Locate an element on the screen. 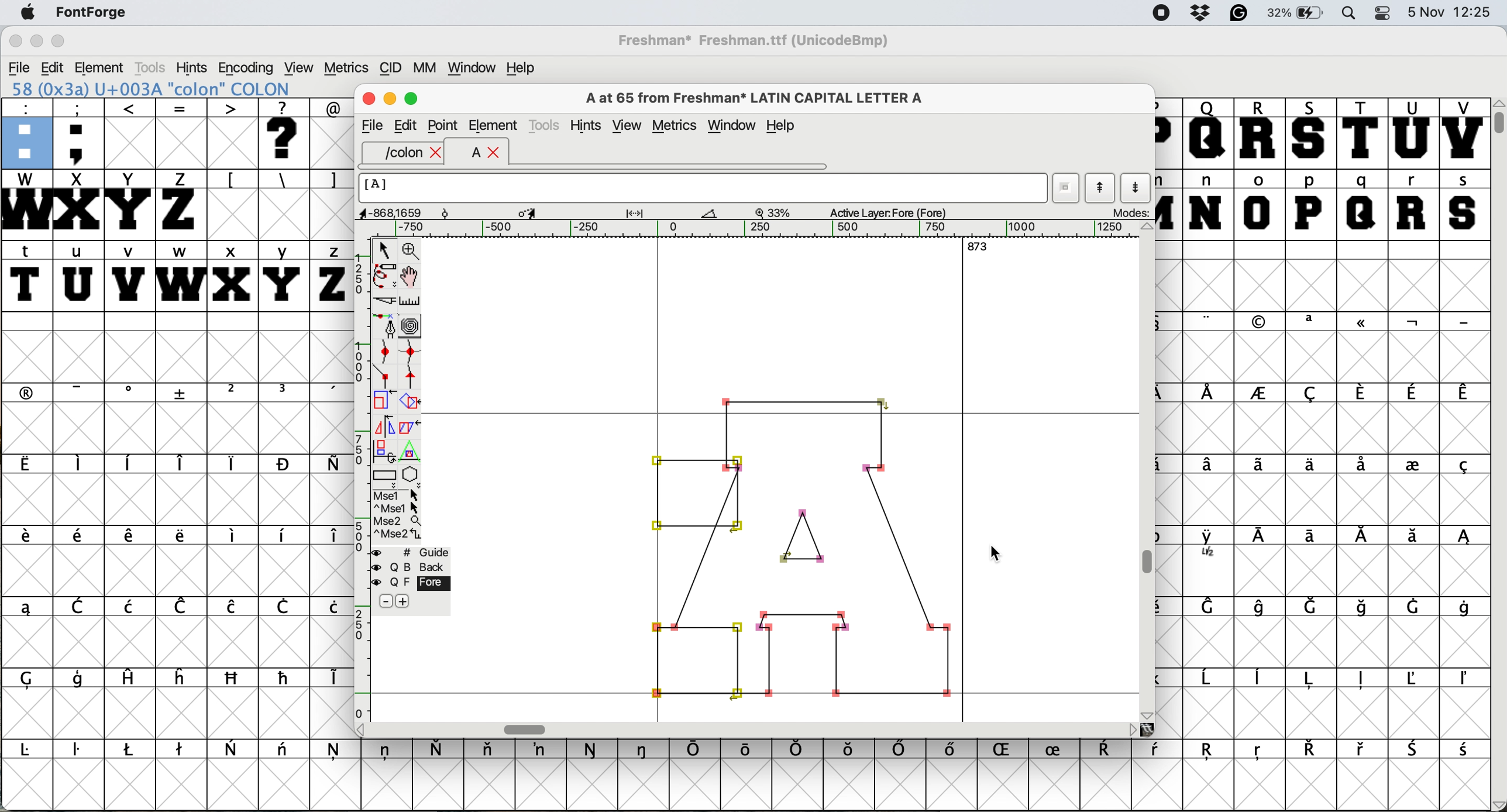 This screenshot has width=1507, height=812. close is located at coordinates (438, 153).